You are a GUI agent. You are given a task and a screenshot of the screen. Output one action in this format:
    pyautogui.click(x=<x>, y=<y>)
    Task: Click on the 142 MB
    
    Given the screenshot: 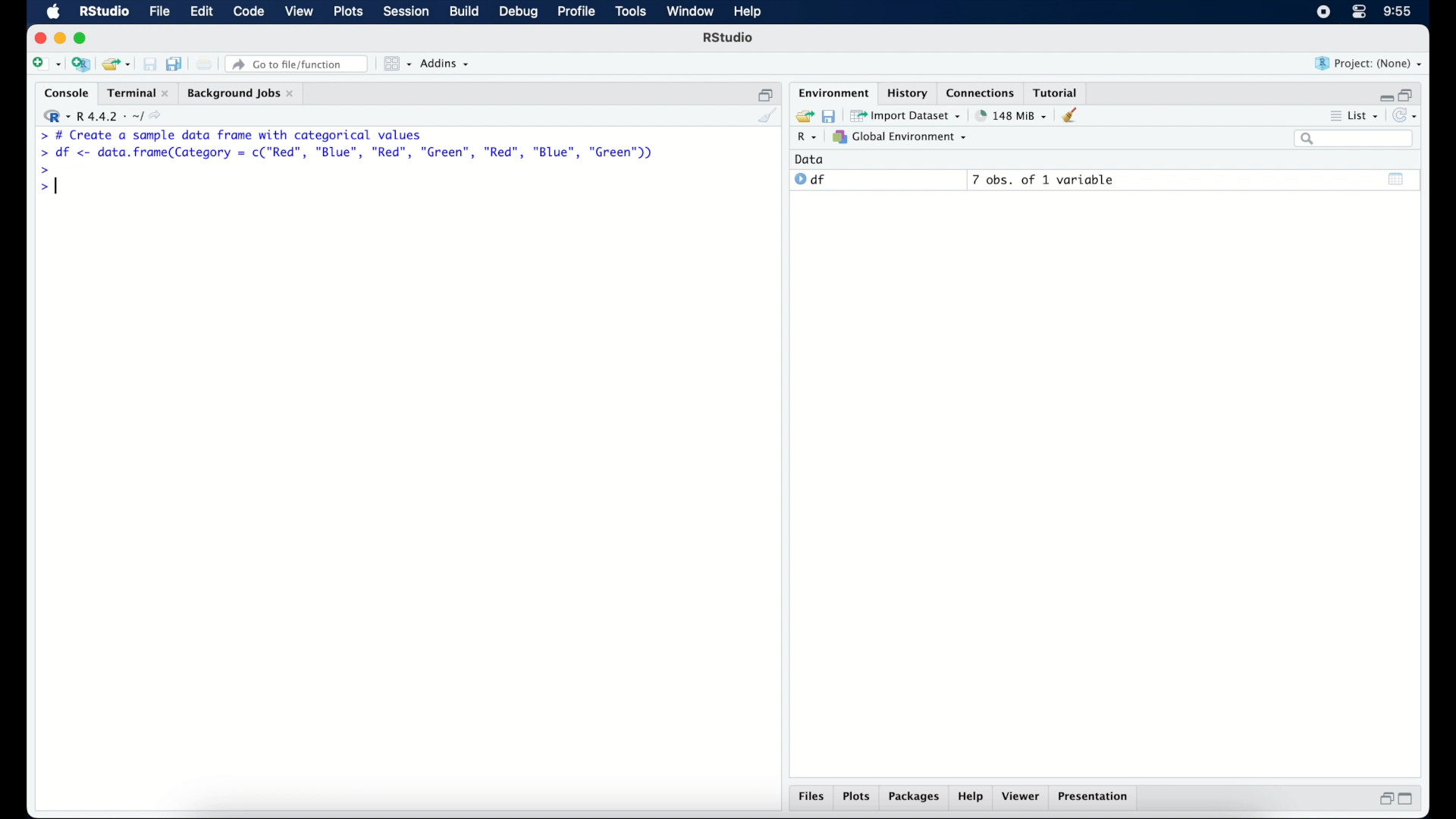 What is the action you would take?
    pyautogui.click(x=1012, y=115)
    